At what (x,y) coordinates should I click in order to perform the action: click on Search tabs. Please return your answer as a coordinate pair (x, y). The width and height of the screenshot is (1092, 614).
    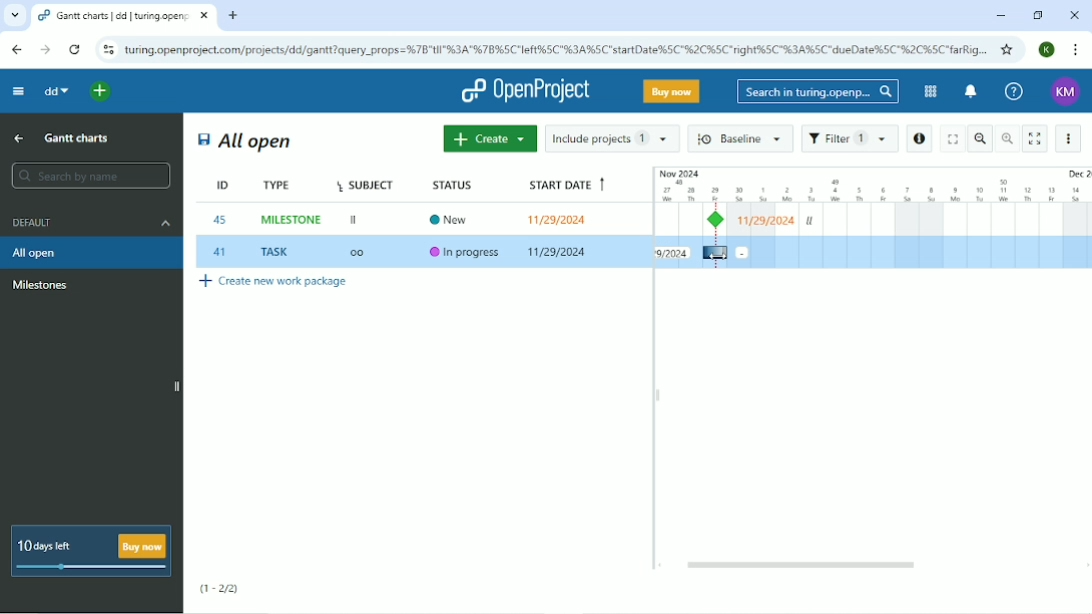
    Looking at the image, I should click on (15, 15).